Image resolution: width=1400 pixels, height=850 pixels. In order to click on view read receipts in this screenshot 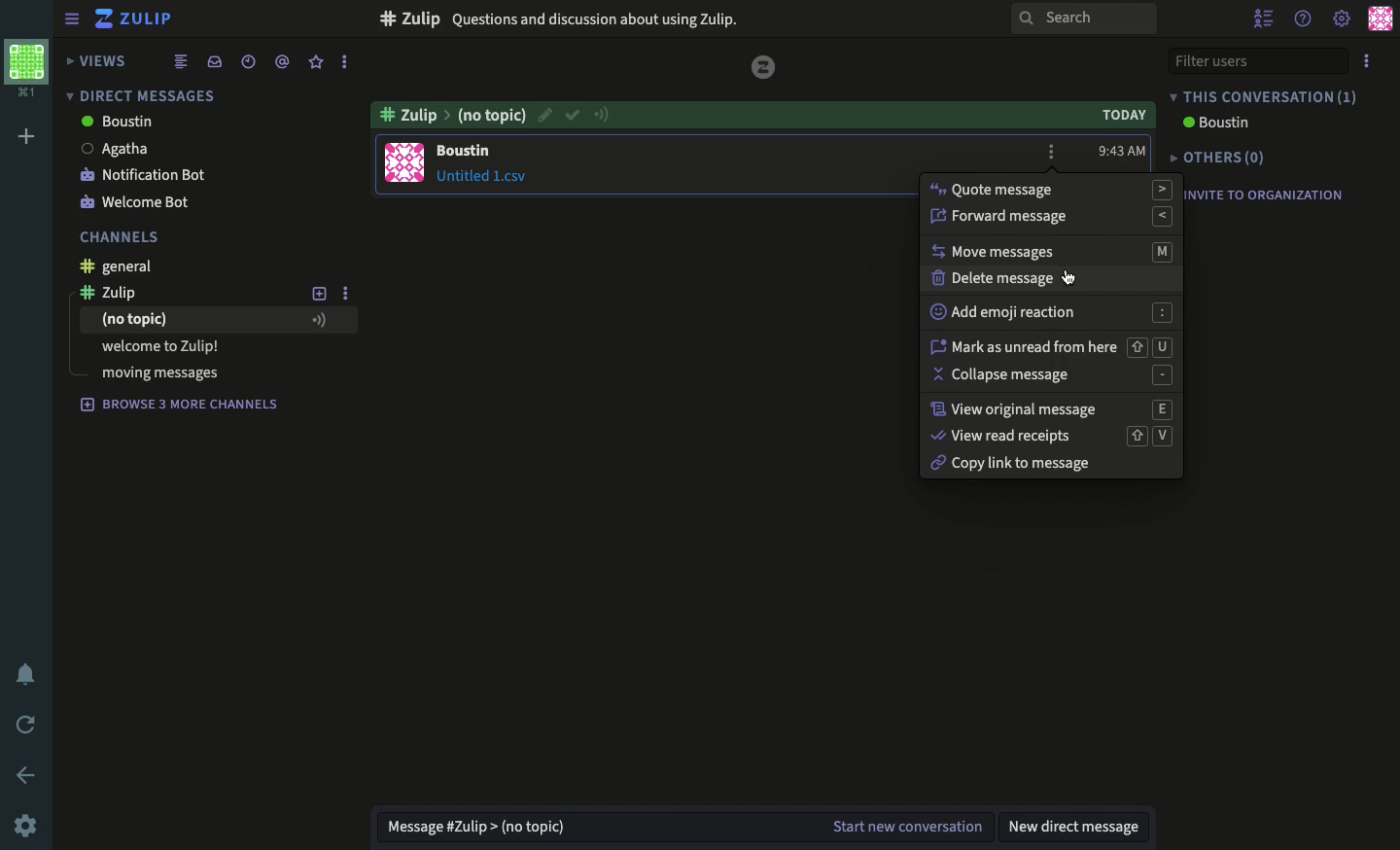, I will do `click(1053, 436)`.